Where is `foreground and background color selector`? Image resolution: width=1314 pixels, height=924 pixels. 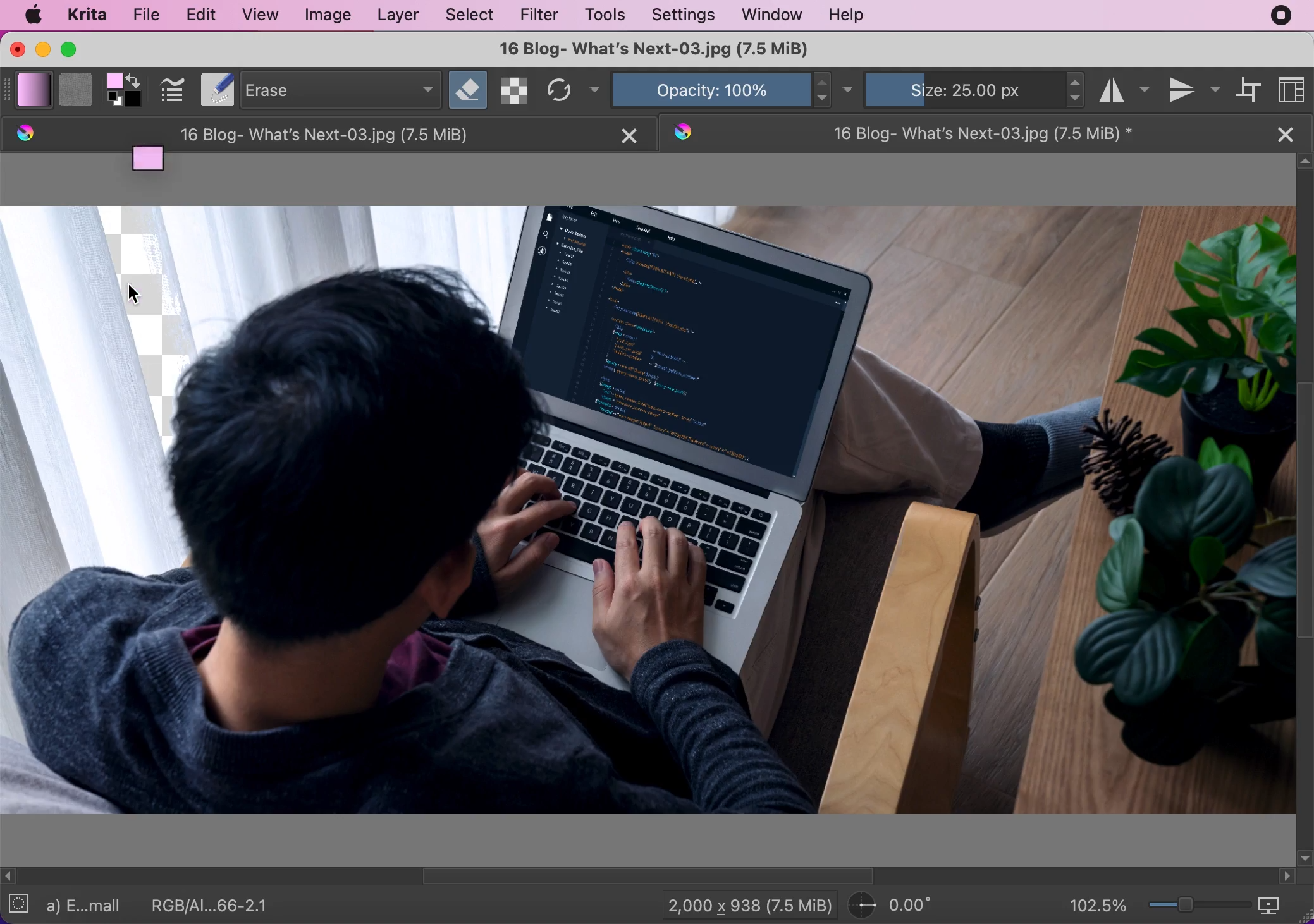
foreground and background color selector is located at coordinates (126, 90).